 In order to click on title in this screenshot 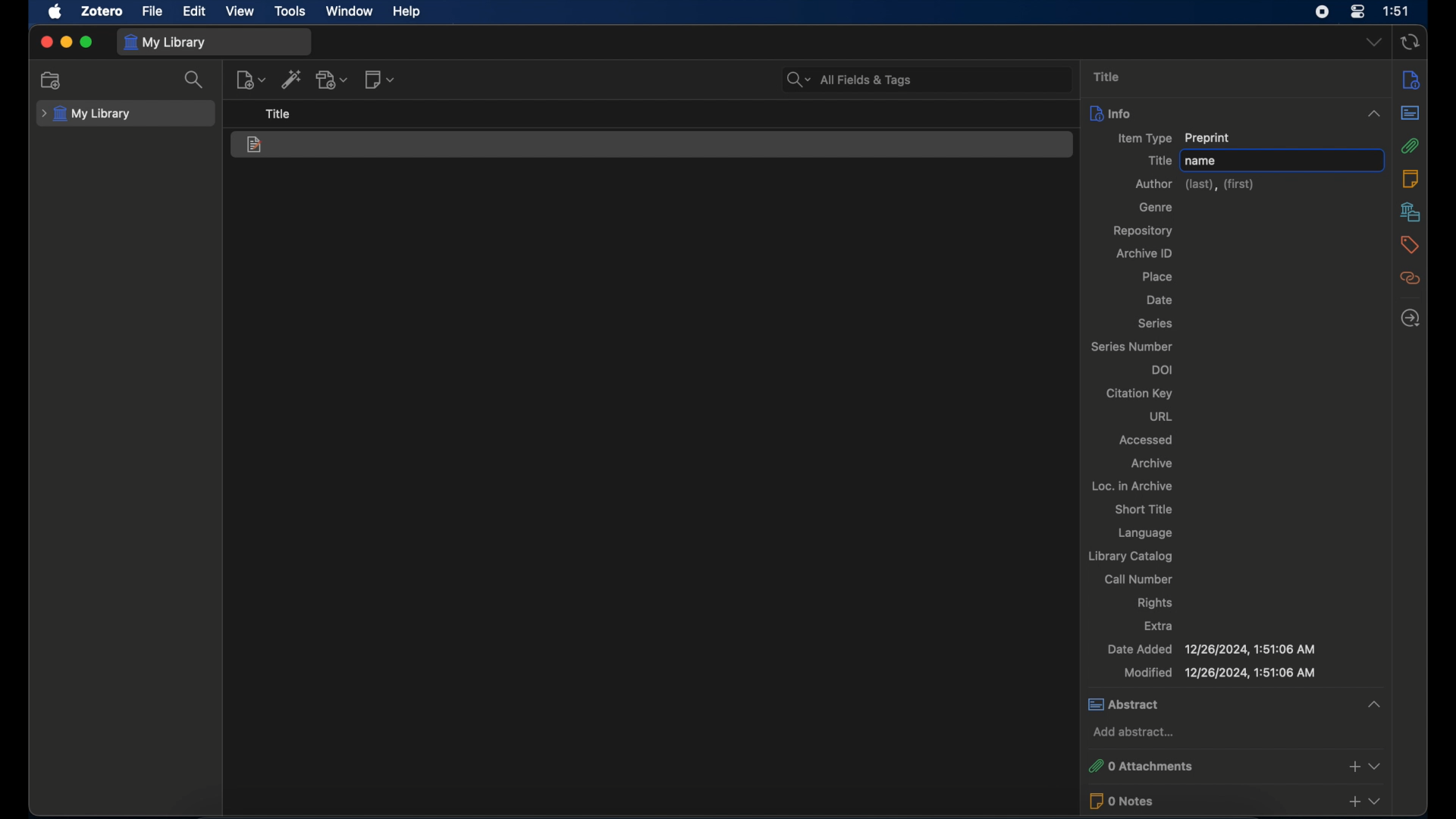, I will do `click(278, 114)`.